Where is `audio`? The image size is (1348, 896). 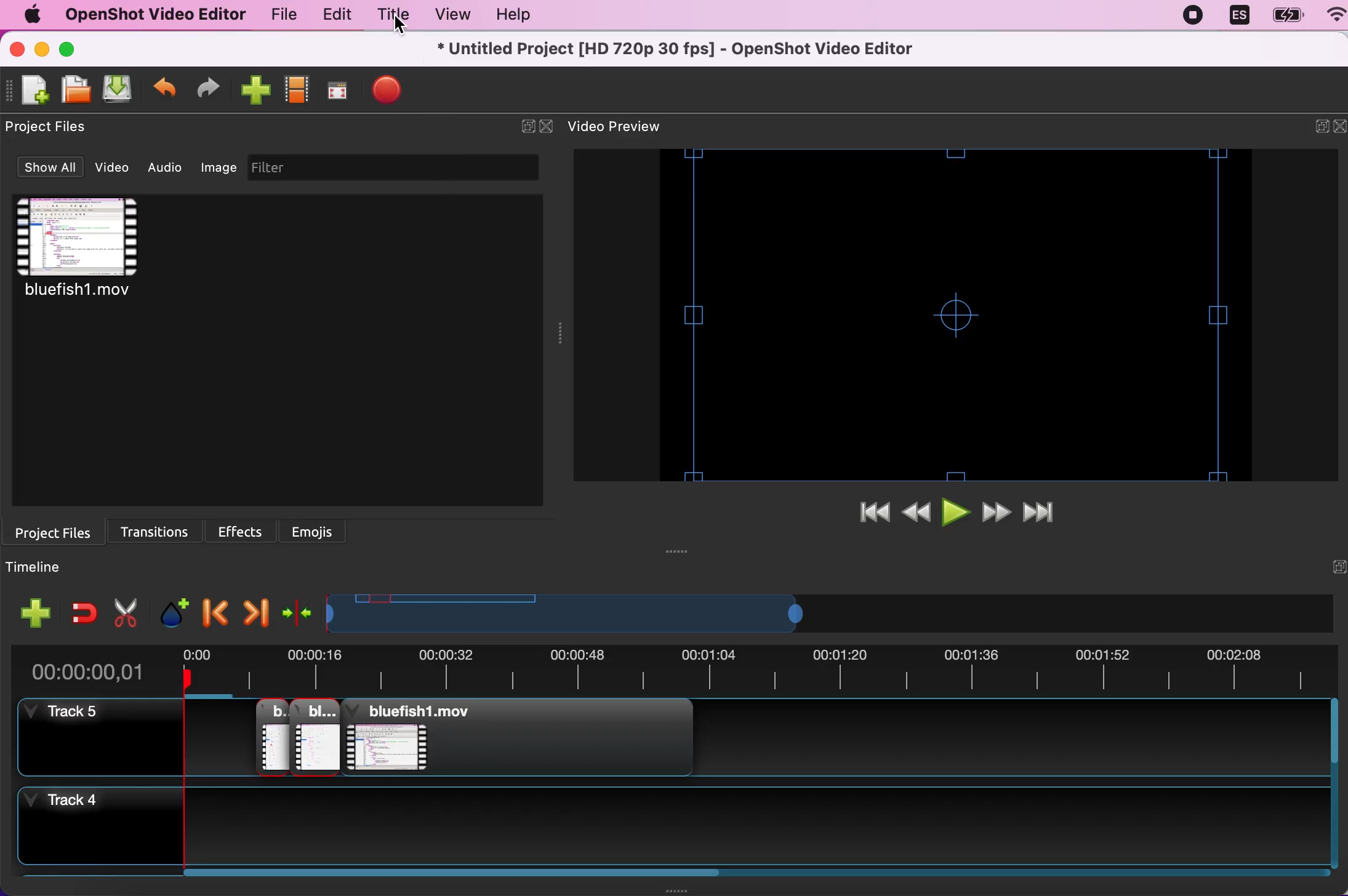
audio is located at coordinates (169, 167).